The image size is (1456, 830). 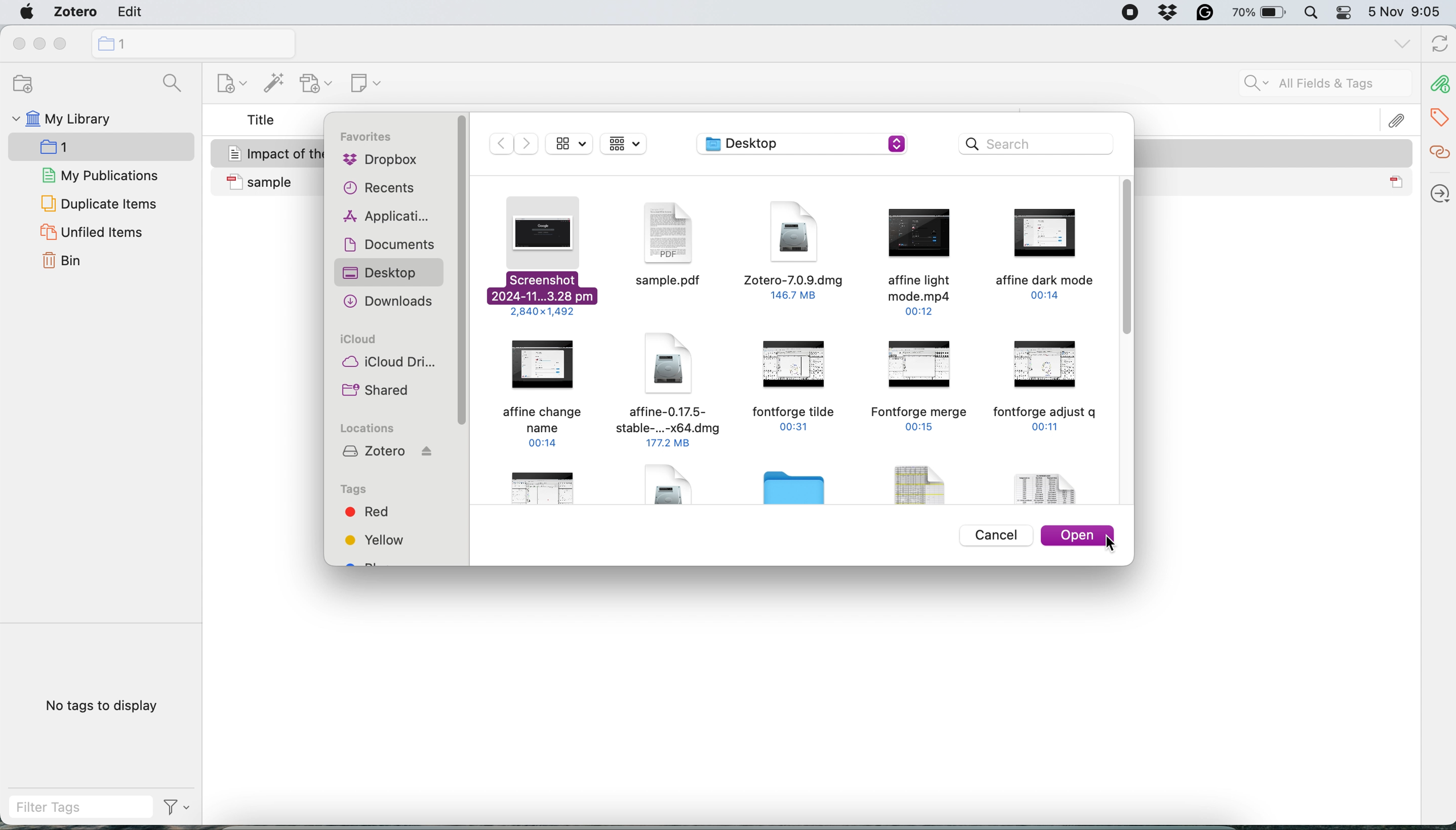 I want to click on new note, so click(x=361, y=81).